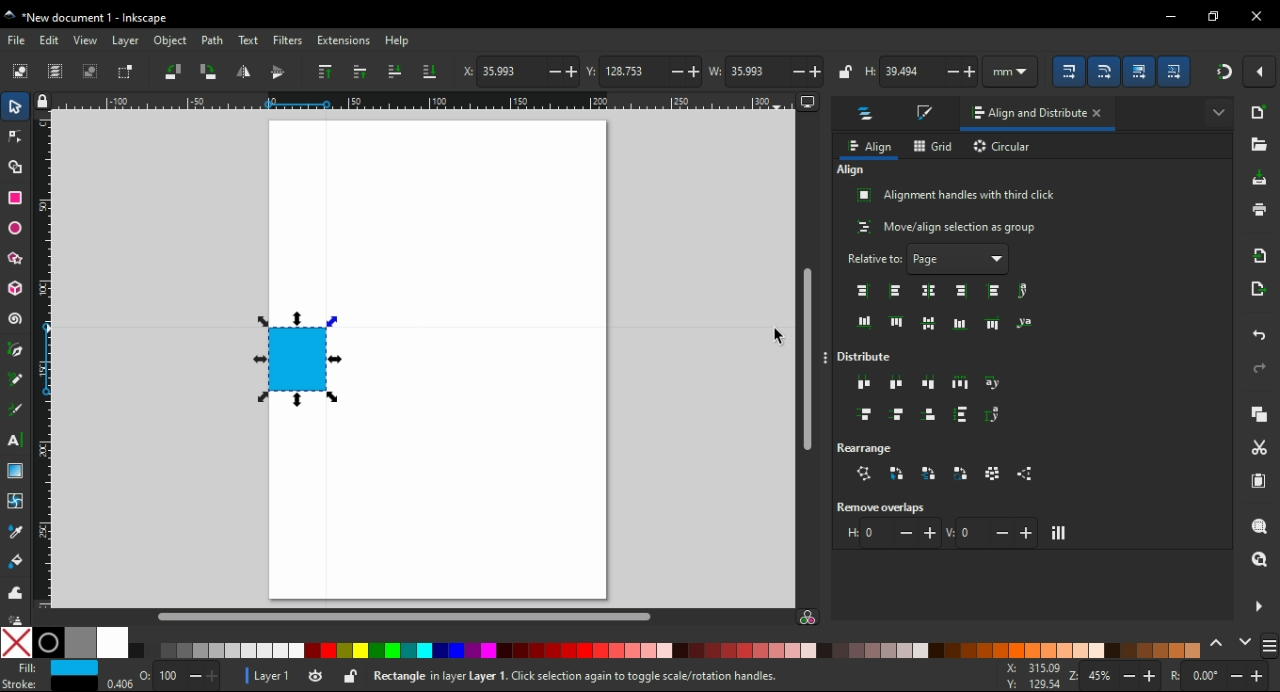  I want to click on move/align selection as a group, so click(944, 226).